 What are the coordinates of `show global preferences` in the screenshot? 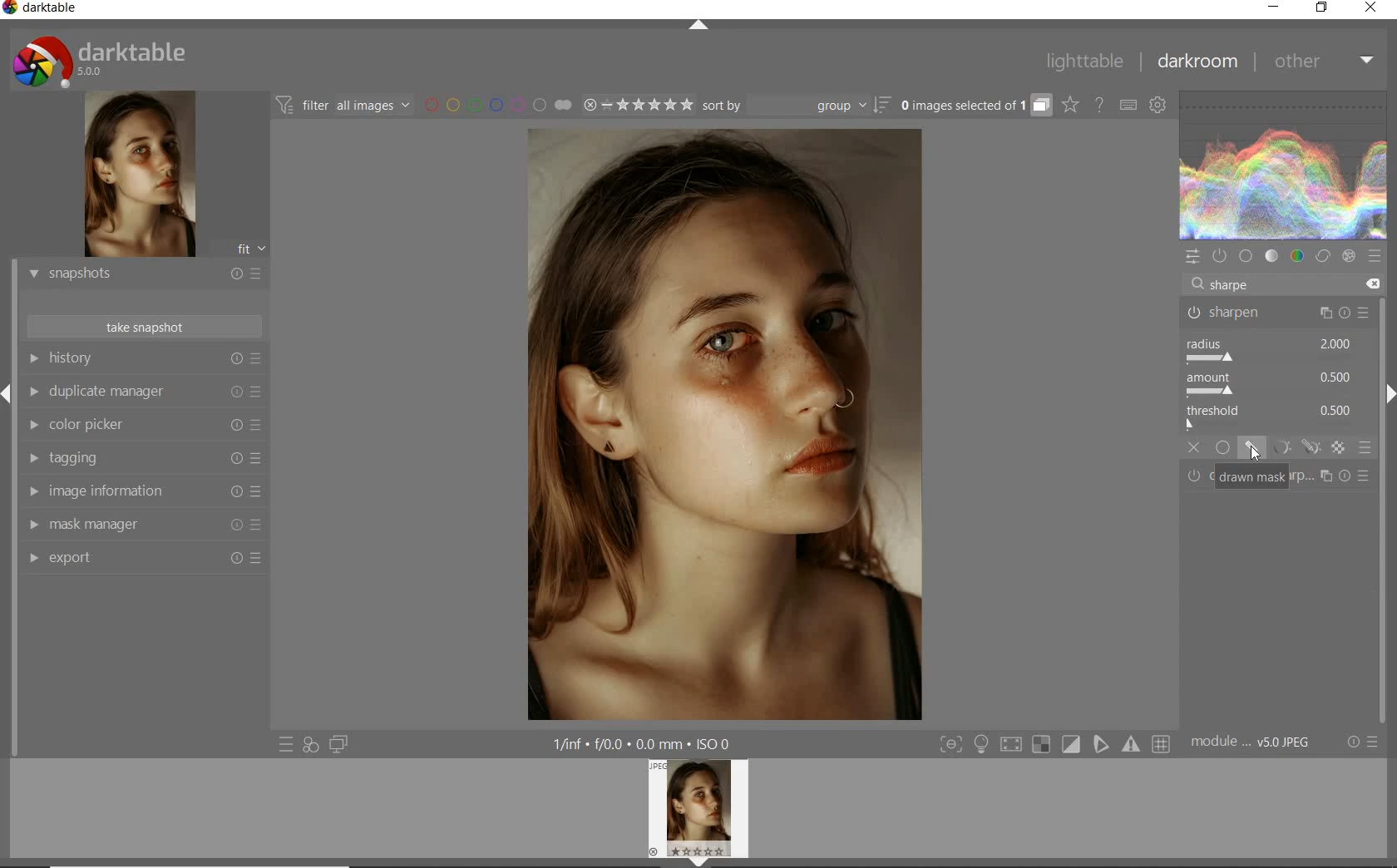 It's located at (1159, 106).